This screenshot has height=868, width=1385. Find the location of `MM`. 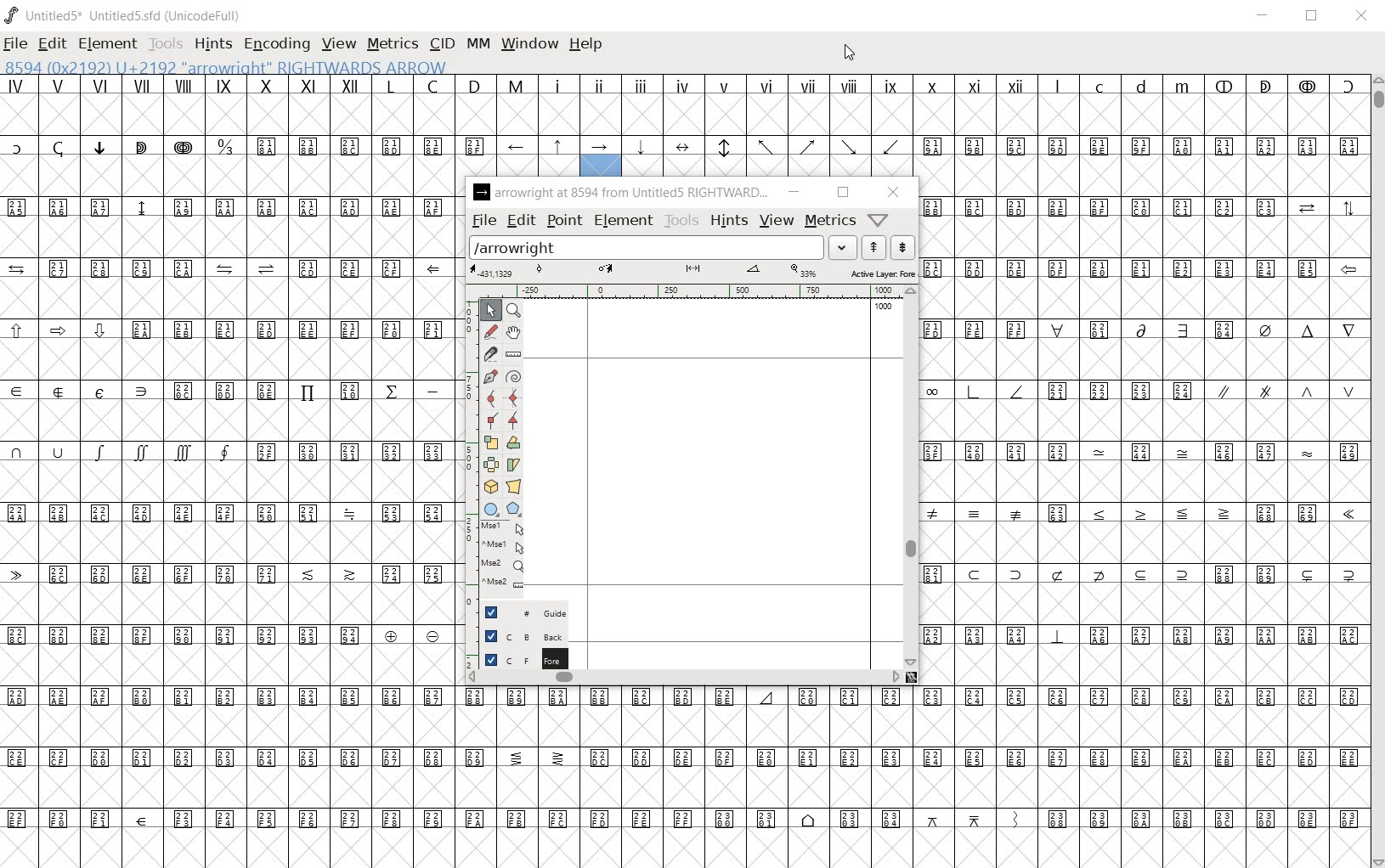

MM is located at coordinates (480, 45).